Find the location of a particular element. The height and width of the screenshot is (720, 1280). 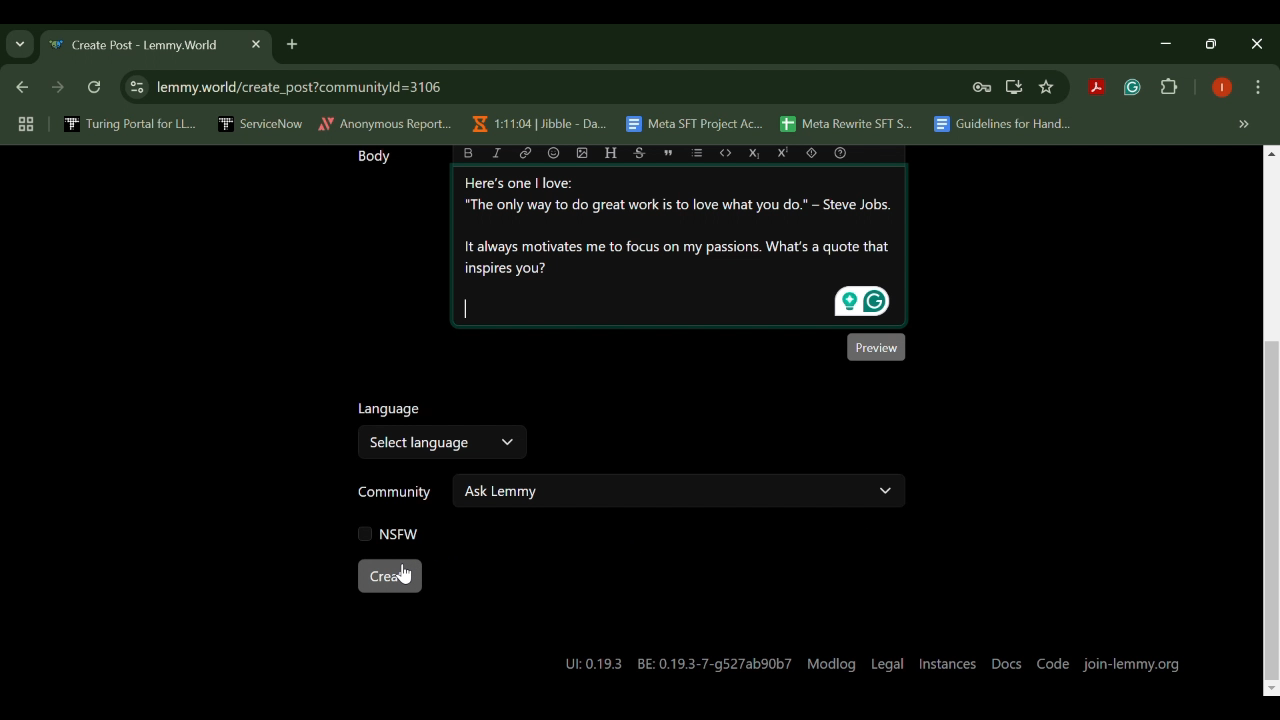

header is located at coordinates (610, 153).